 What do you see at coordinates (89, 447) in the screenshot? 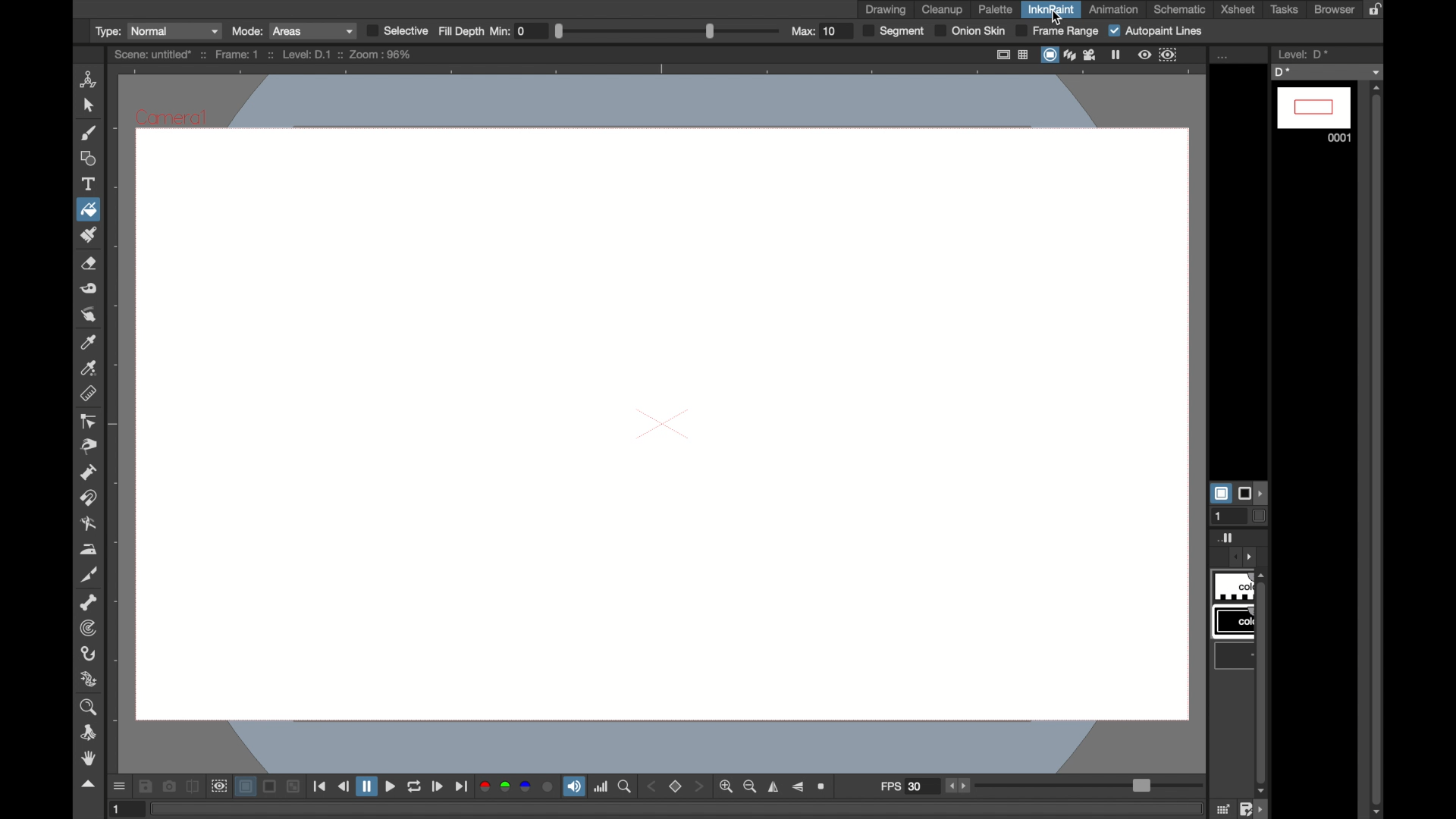
I see `pinch tool` at bounding box center [89, 447].